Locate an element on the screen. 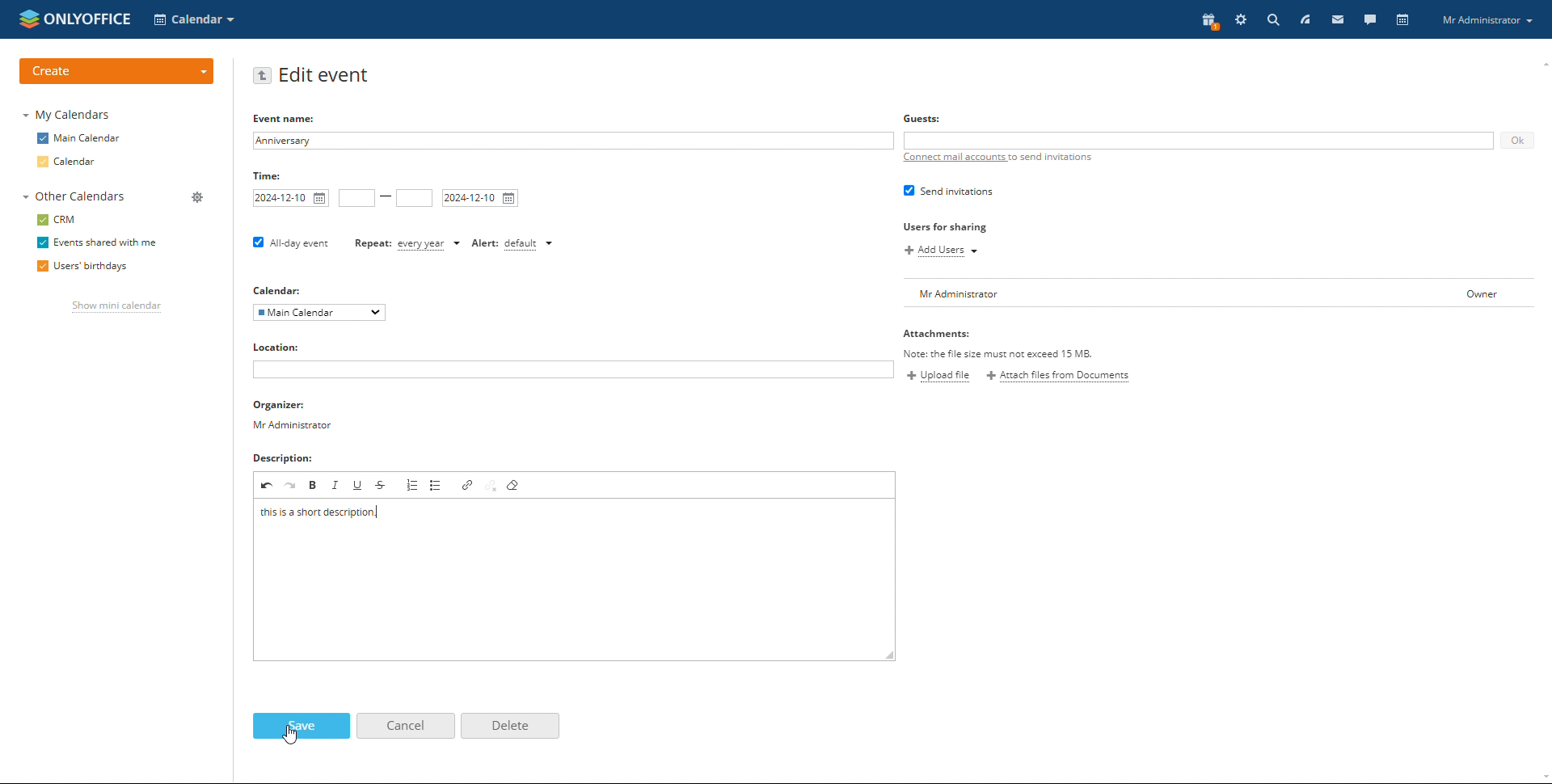 Image resolution: width=1552 pixels, height=784 pixels. mail is located at coordinates (1338, 19).